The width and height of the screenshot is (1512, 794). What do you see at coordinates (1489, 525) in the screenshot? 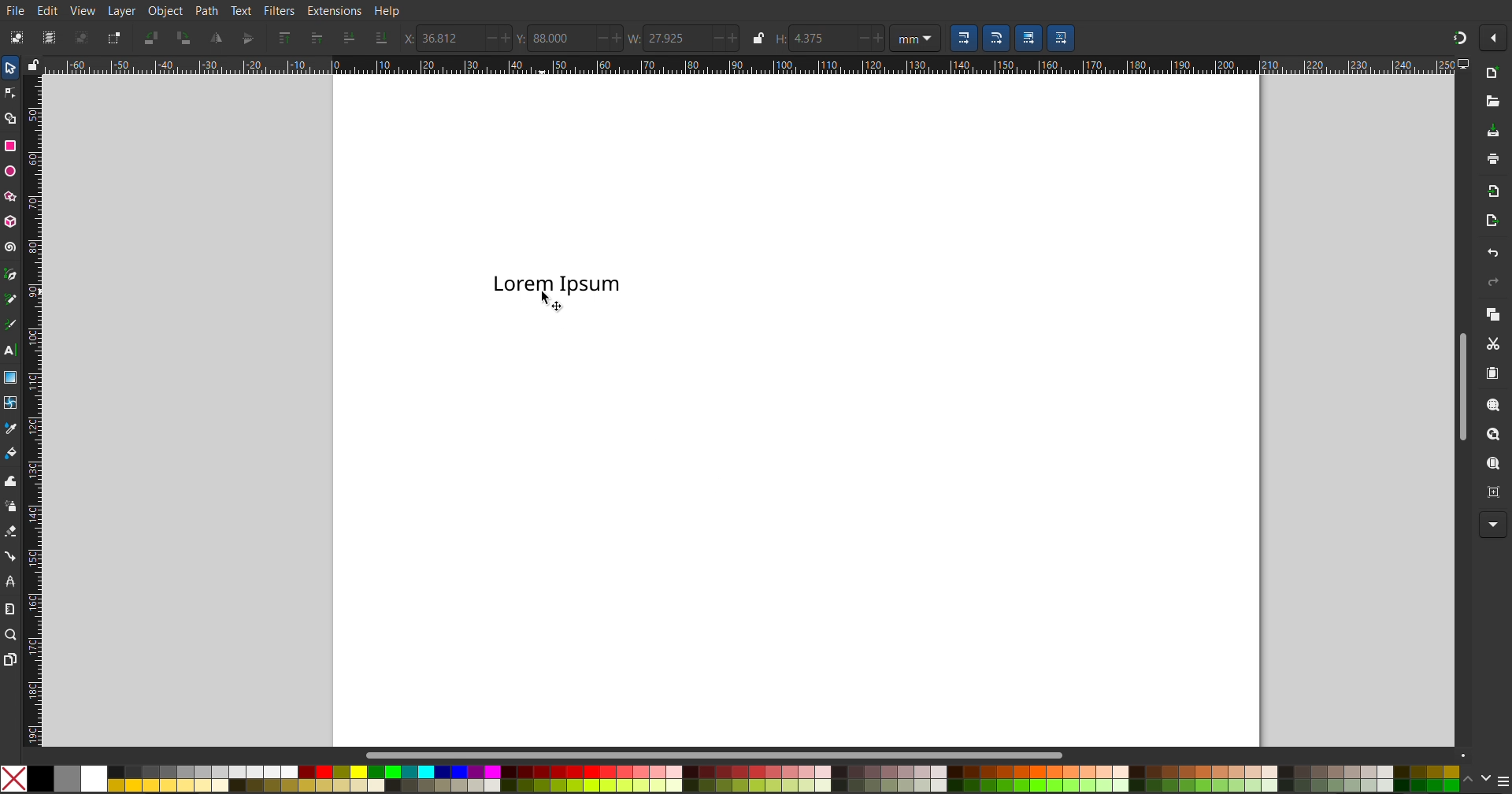
I see `More` at bounding box center [1489, 525].